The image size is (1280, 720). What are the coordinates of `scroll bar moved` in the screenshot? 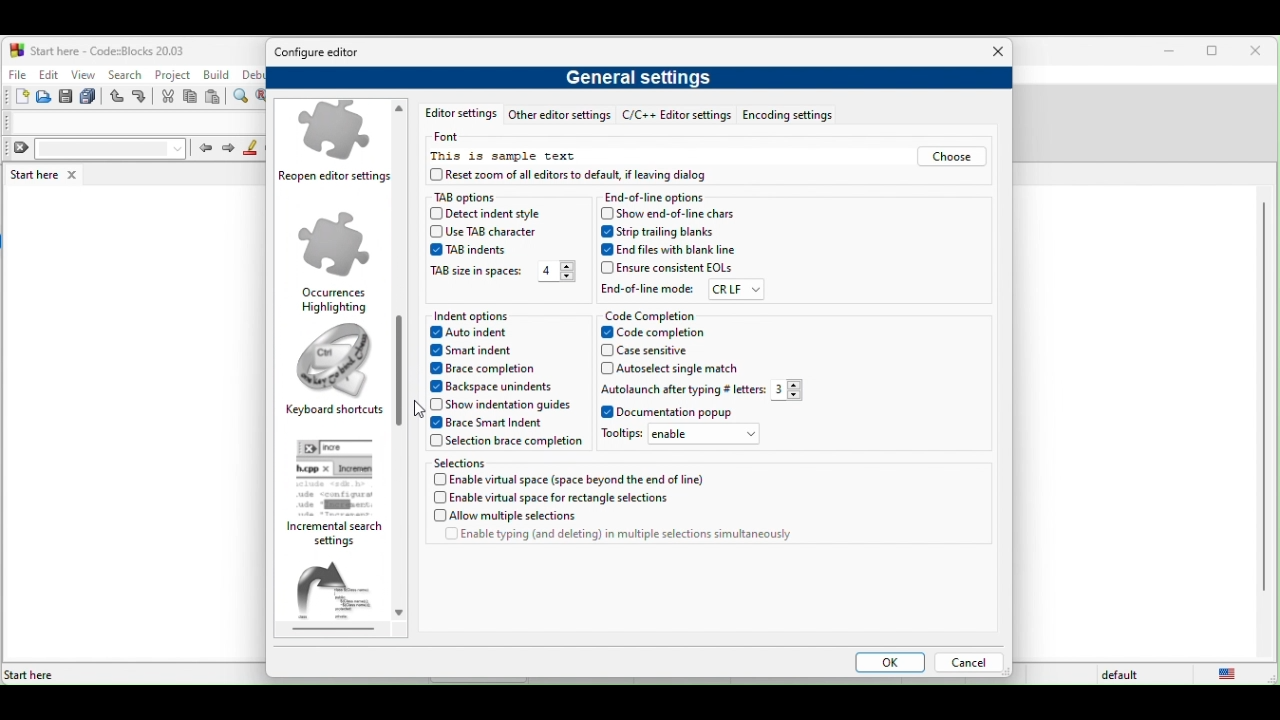 It's located at (398, 354).